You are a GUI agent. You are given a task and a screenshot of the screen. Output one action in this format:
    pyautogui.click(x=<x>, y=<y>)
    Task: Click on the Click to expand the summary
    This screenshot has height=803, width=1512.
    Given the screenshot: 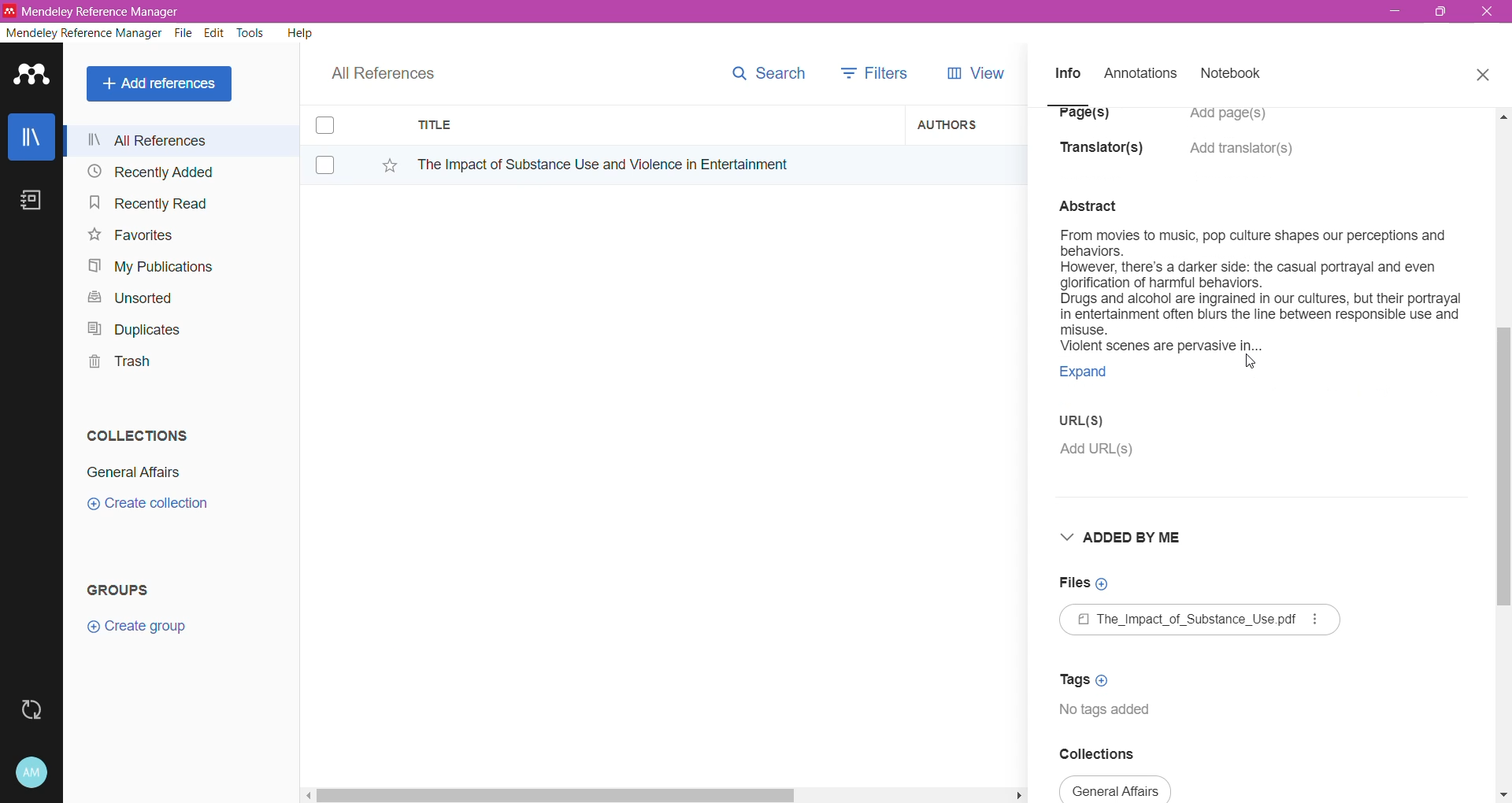 What is the action you would take?
    pyautogui.click(x=1095, y=376)
    